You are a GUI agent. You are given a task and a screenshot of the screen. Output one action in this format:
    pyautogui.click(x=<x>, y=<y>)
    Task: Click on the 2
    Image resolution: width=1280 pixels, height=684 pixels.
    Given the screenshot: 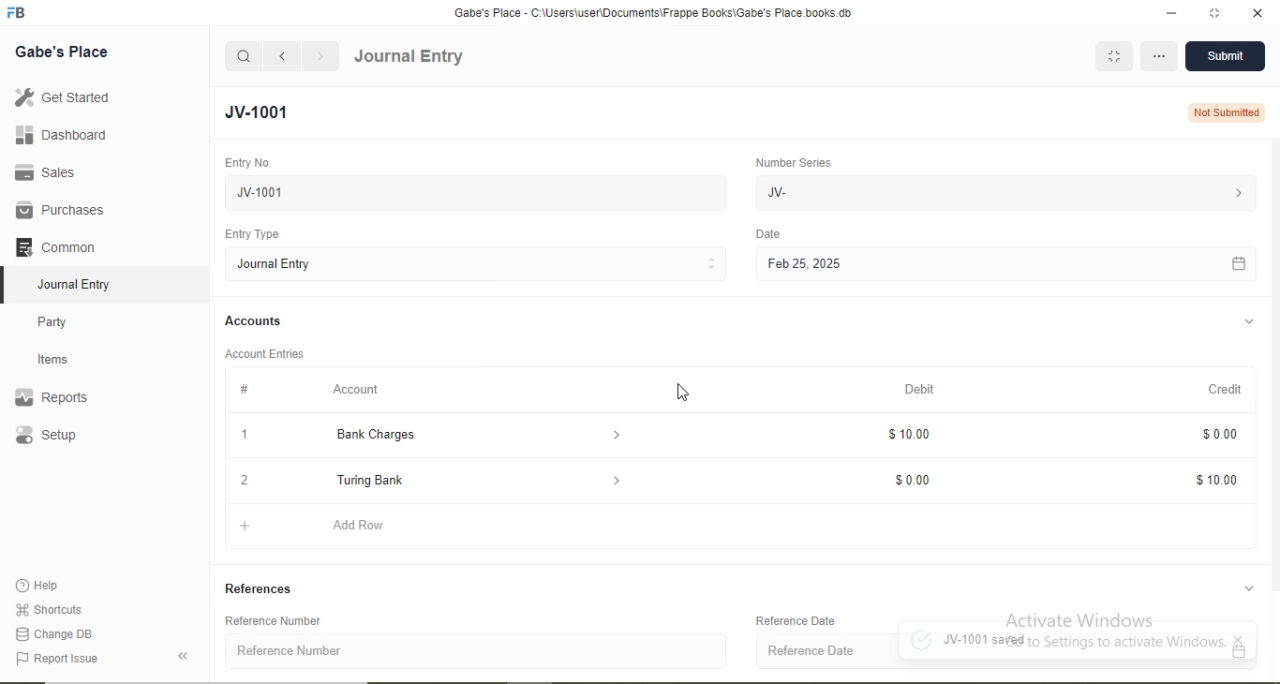 What is the action you would take?
    pyautogui.click(x=241, y=481)
    